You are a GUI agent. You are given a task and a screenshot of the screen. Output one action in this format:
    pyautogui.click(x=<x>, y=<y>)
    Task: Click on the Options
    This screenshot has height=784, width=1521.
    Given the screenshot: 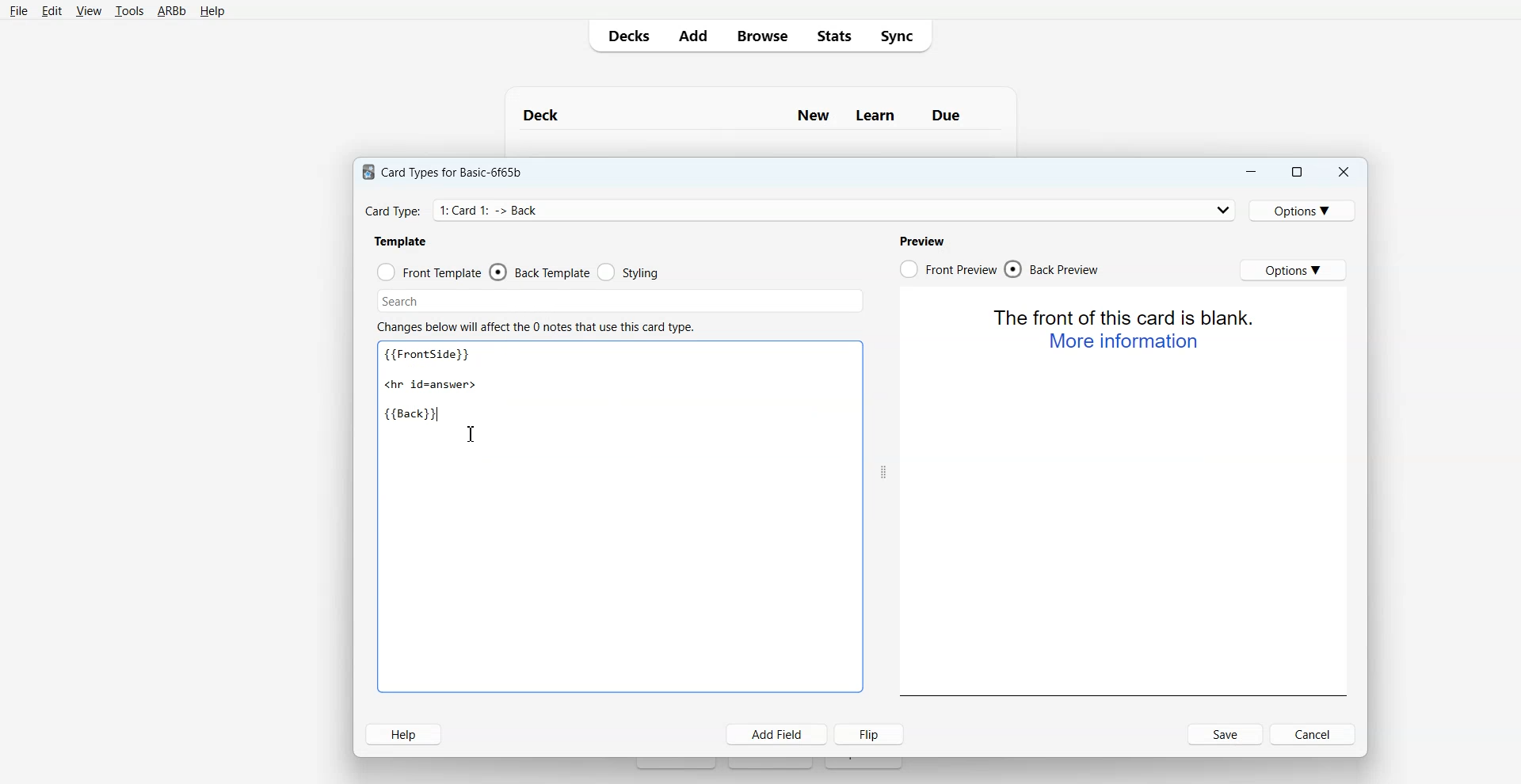 What is the action you would take?
    pyautogui.click(x=1294, y=270)
    